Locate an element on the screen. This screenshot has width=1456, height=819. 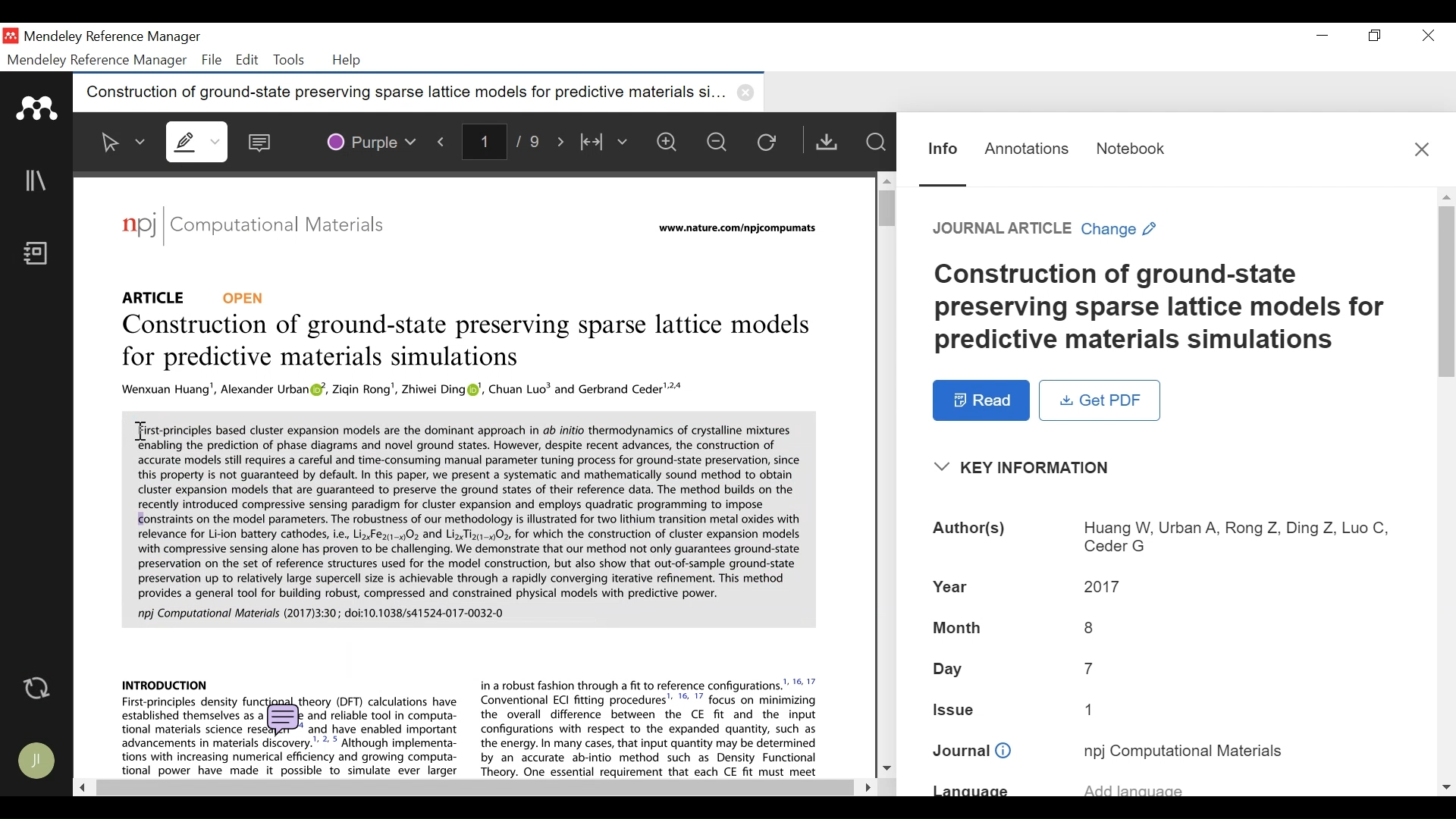
PDF Context is located at coordinates (651, 726).